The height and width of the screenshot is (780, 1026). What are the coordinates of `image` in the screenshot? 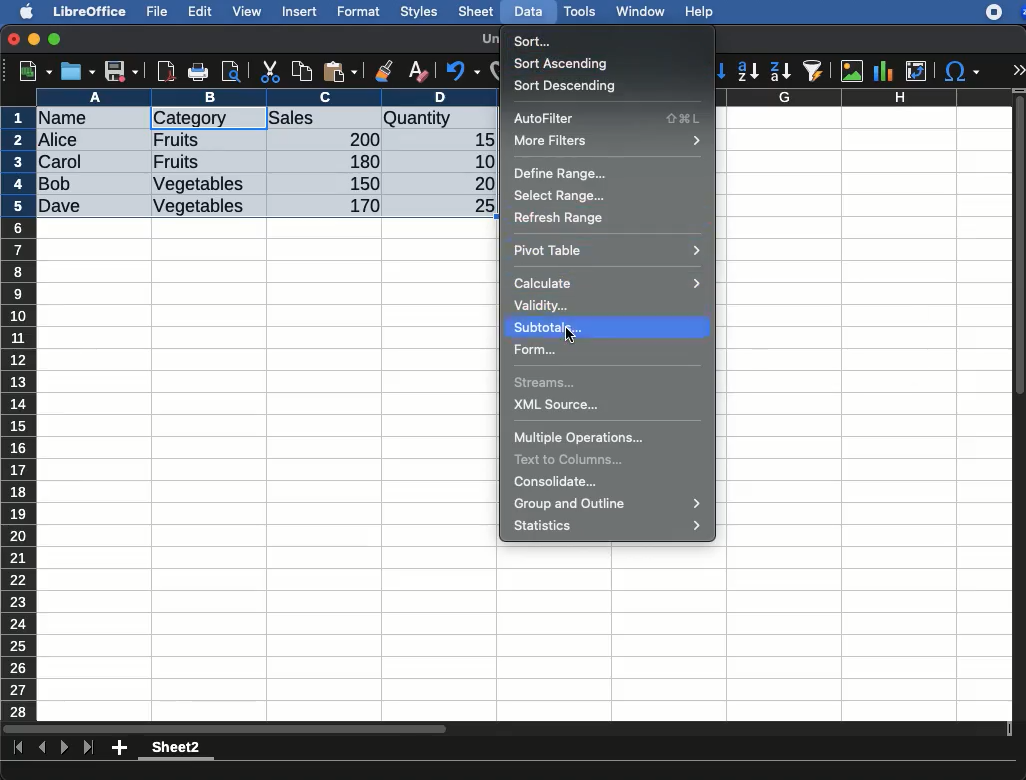 It's located at (854, 71).